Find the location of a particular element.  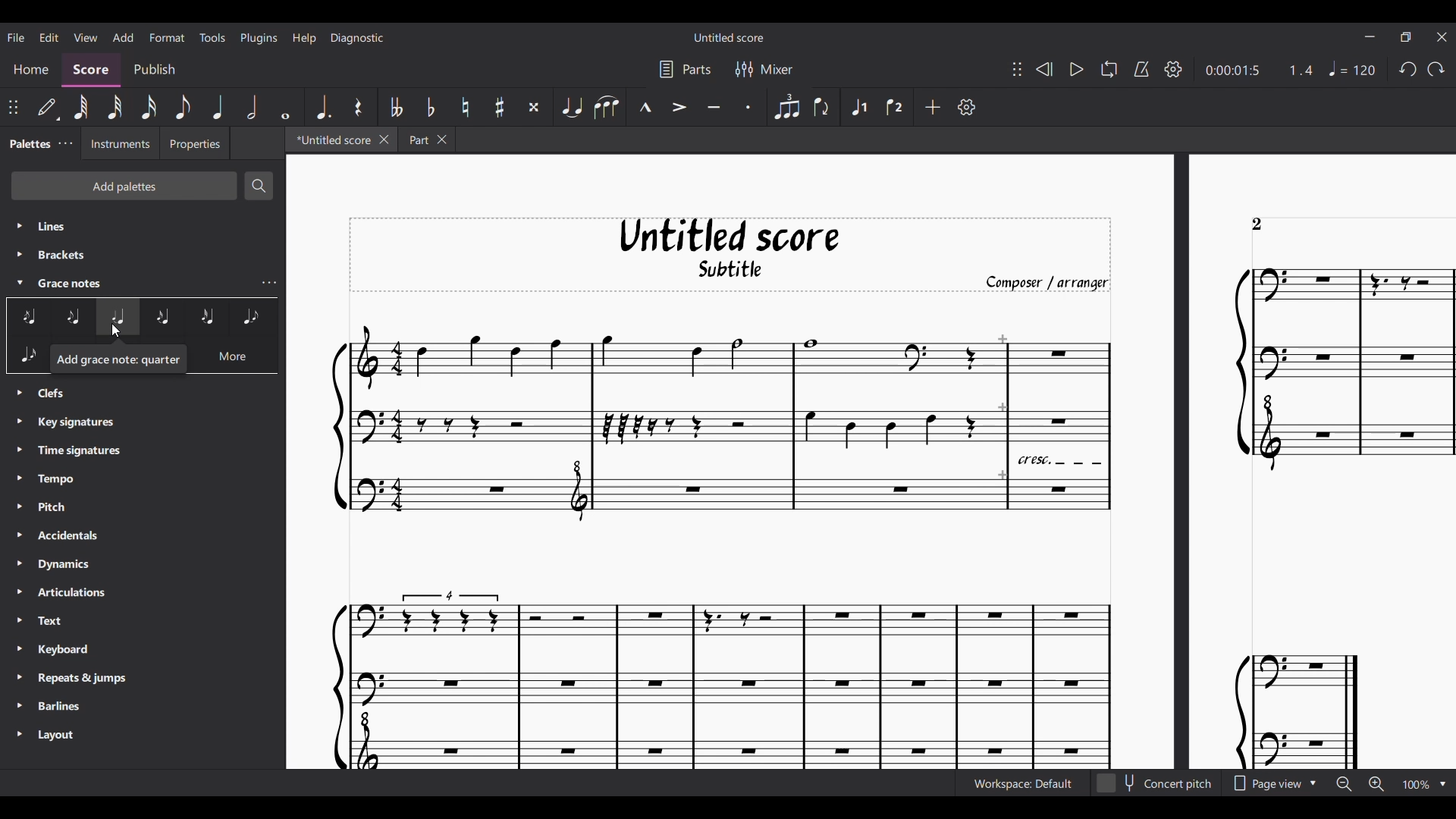

Rest is located at coordinates (358, 107).